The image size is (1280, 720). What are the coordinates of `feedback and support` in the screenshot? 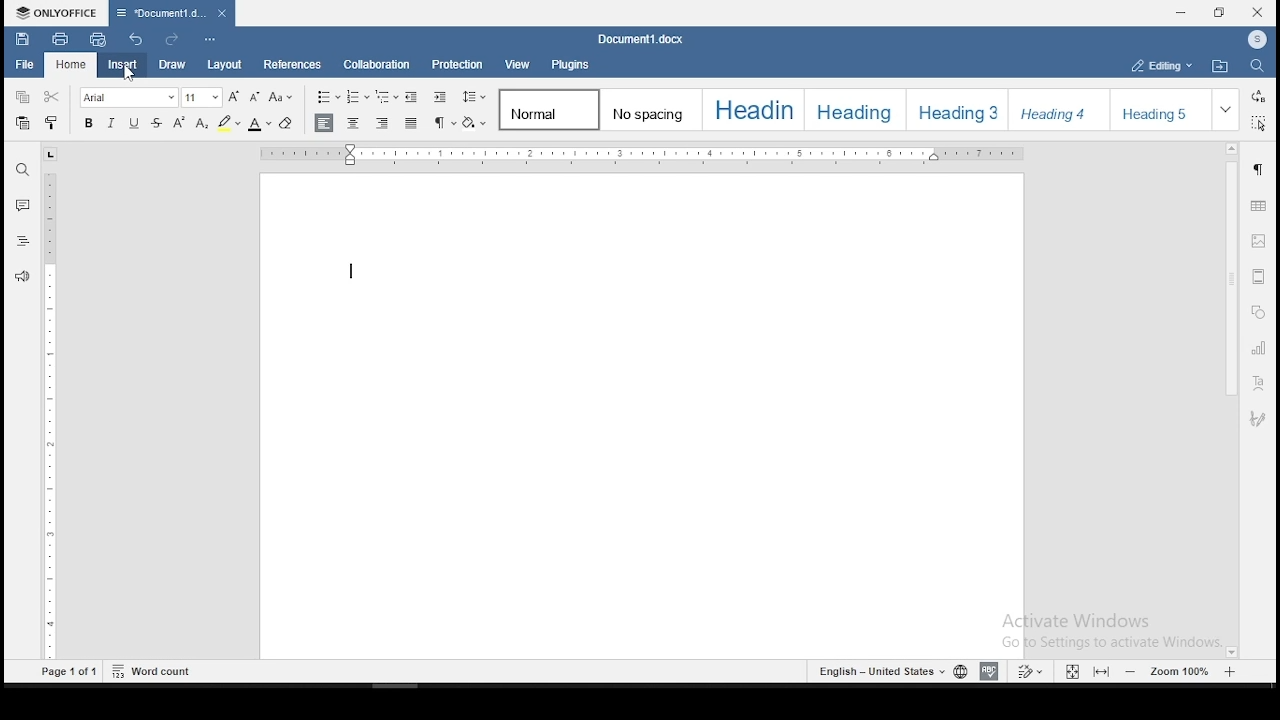 It's located at (23, 275).